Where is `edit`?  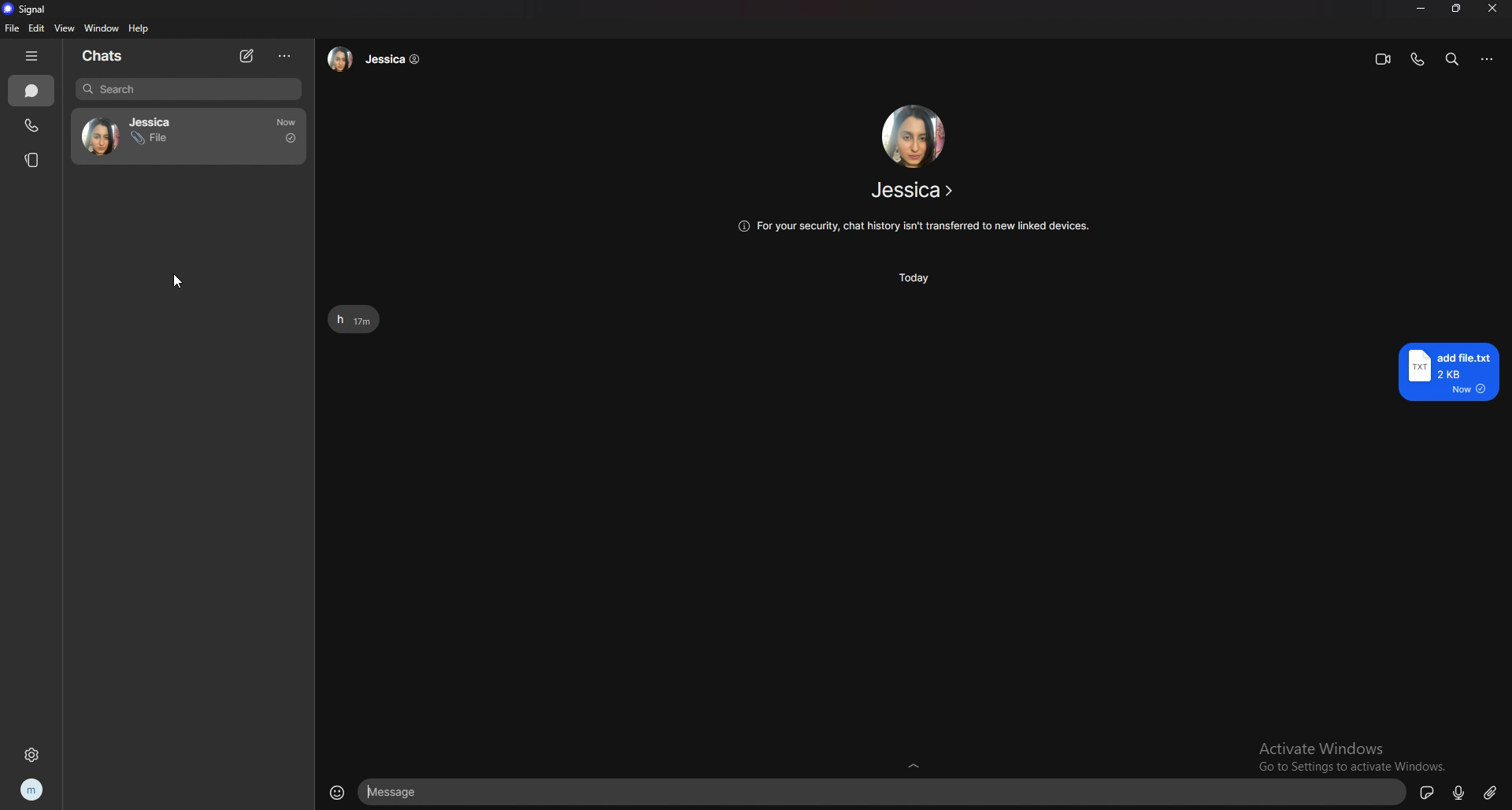 edit is located at coordinates (38, 28).